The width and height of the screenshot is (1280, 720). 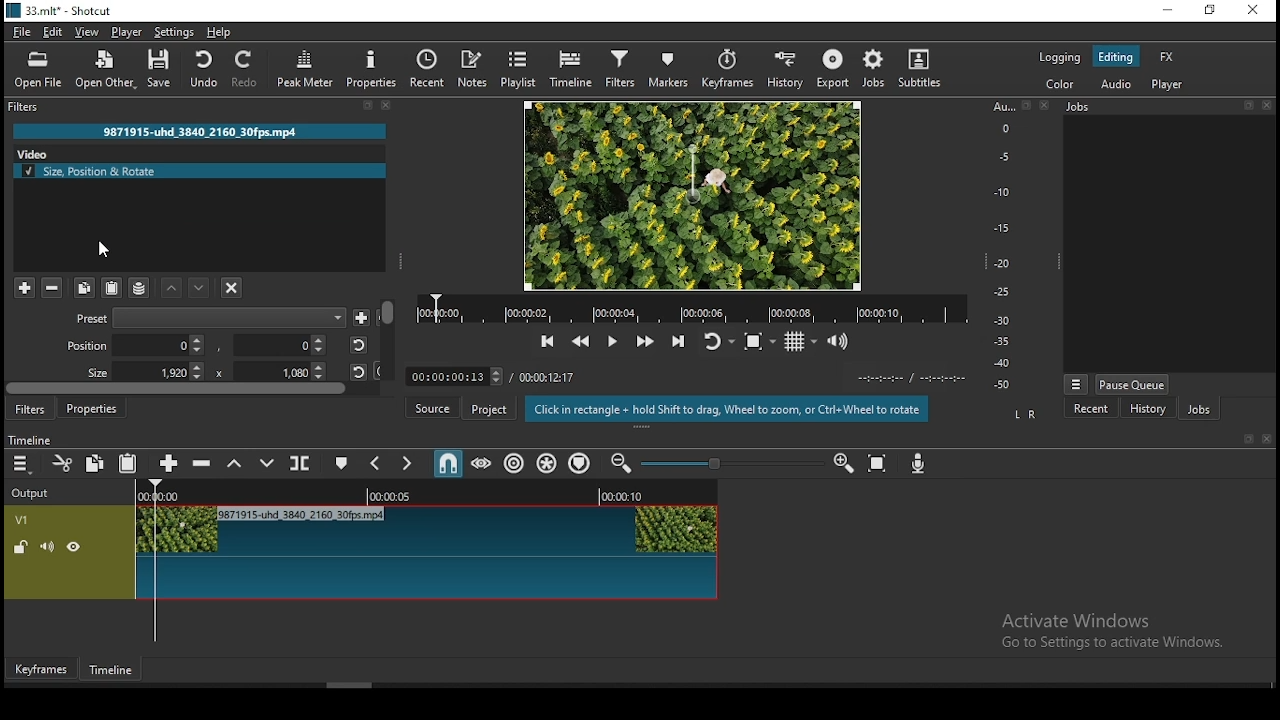 I want to click on size width, so click(x=279, y=371).